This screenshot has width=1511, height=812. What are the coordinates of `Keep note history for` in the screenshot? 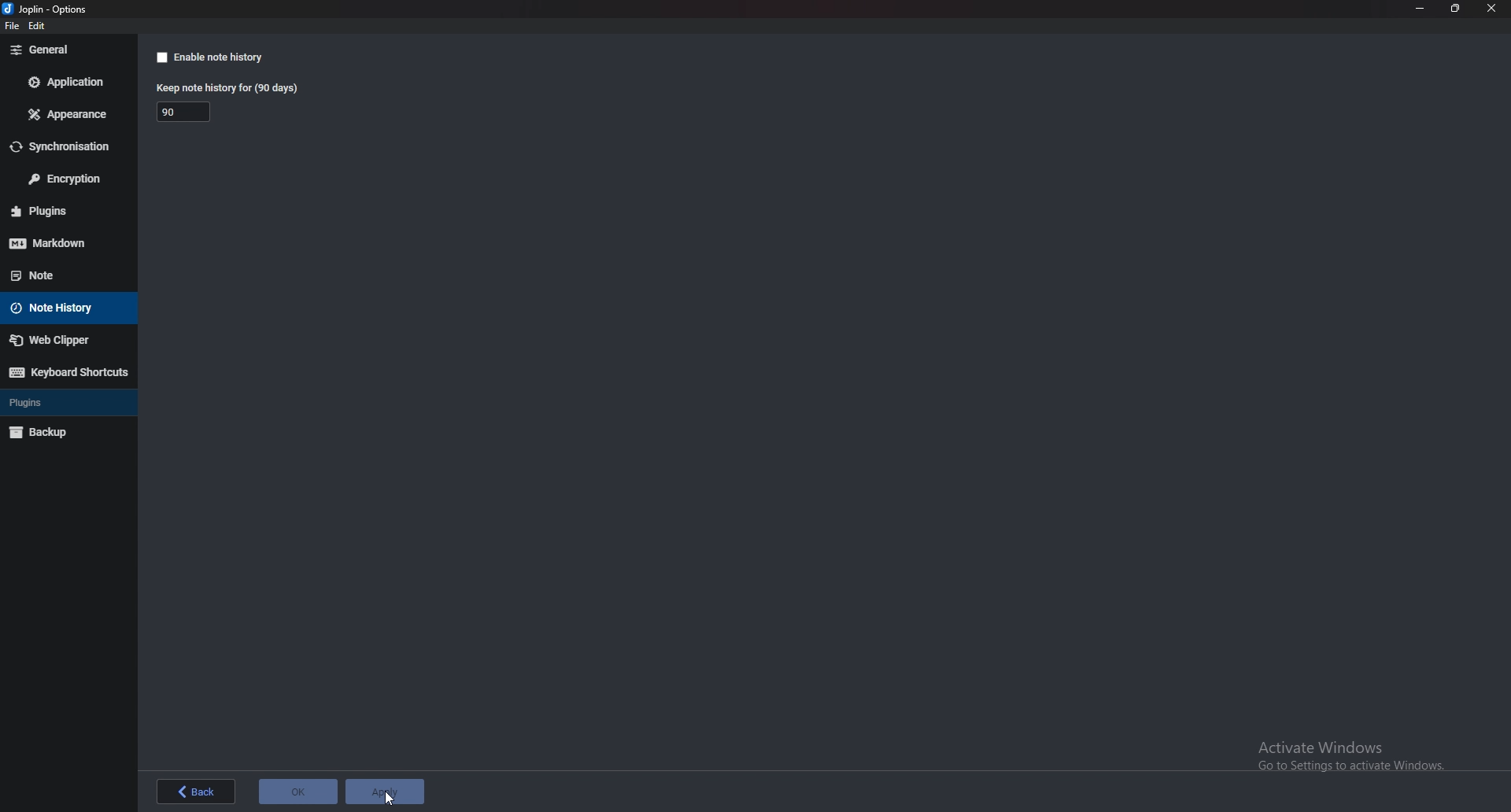 It's located at (230, 87).